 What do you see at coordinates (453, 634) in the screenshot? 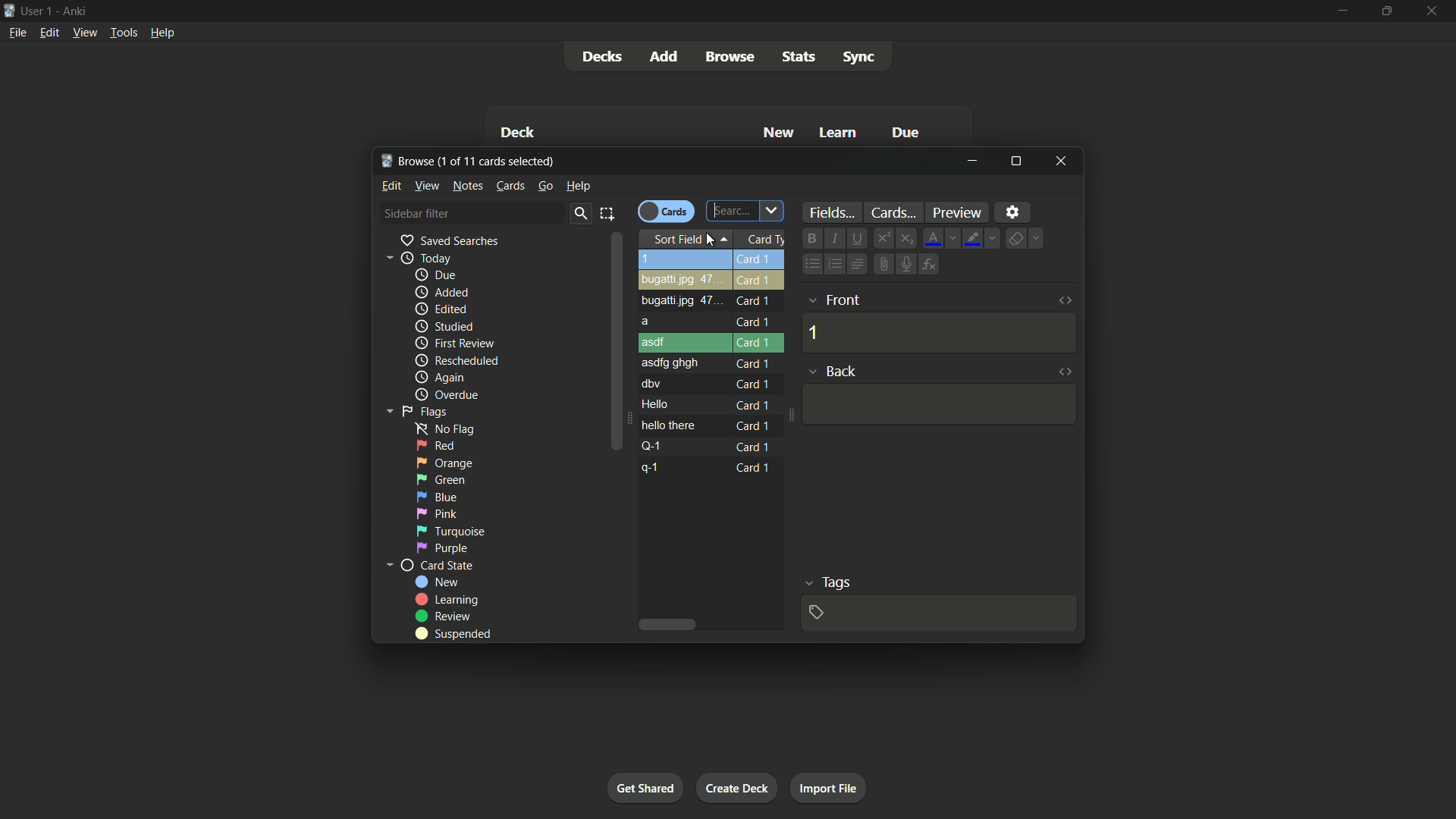
I see `suspended` at bounding box center [453, 634].